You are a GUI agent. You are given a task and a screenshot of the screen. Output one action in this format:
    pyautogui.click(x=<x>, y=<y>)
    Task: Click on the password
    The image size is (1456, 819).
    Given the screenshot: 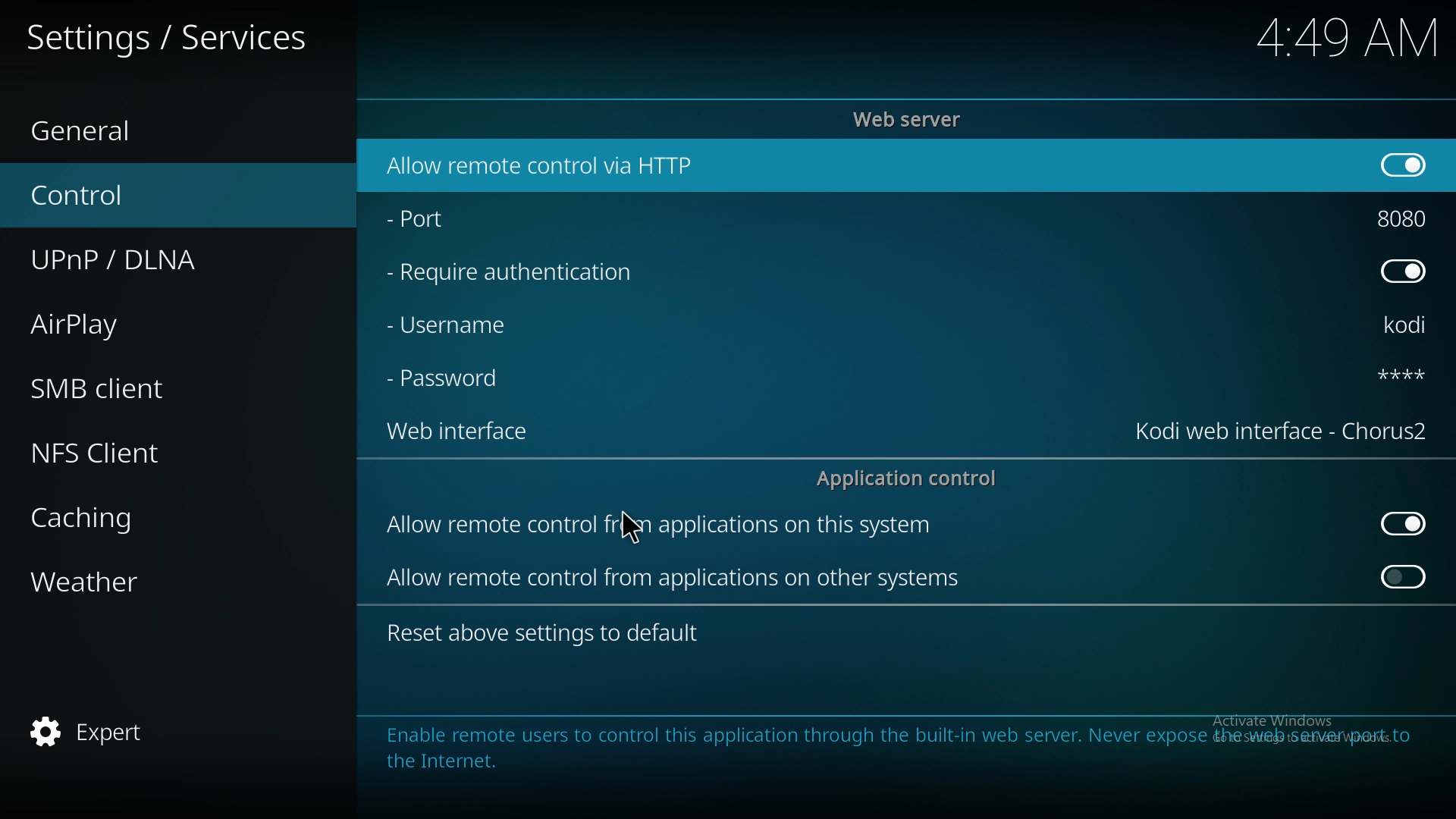 What is the action you would take?
    pyautogui.click(x=1397, y=378)
    